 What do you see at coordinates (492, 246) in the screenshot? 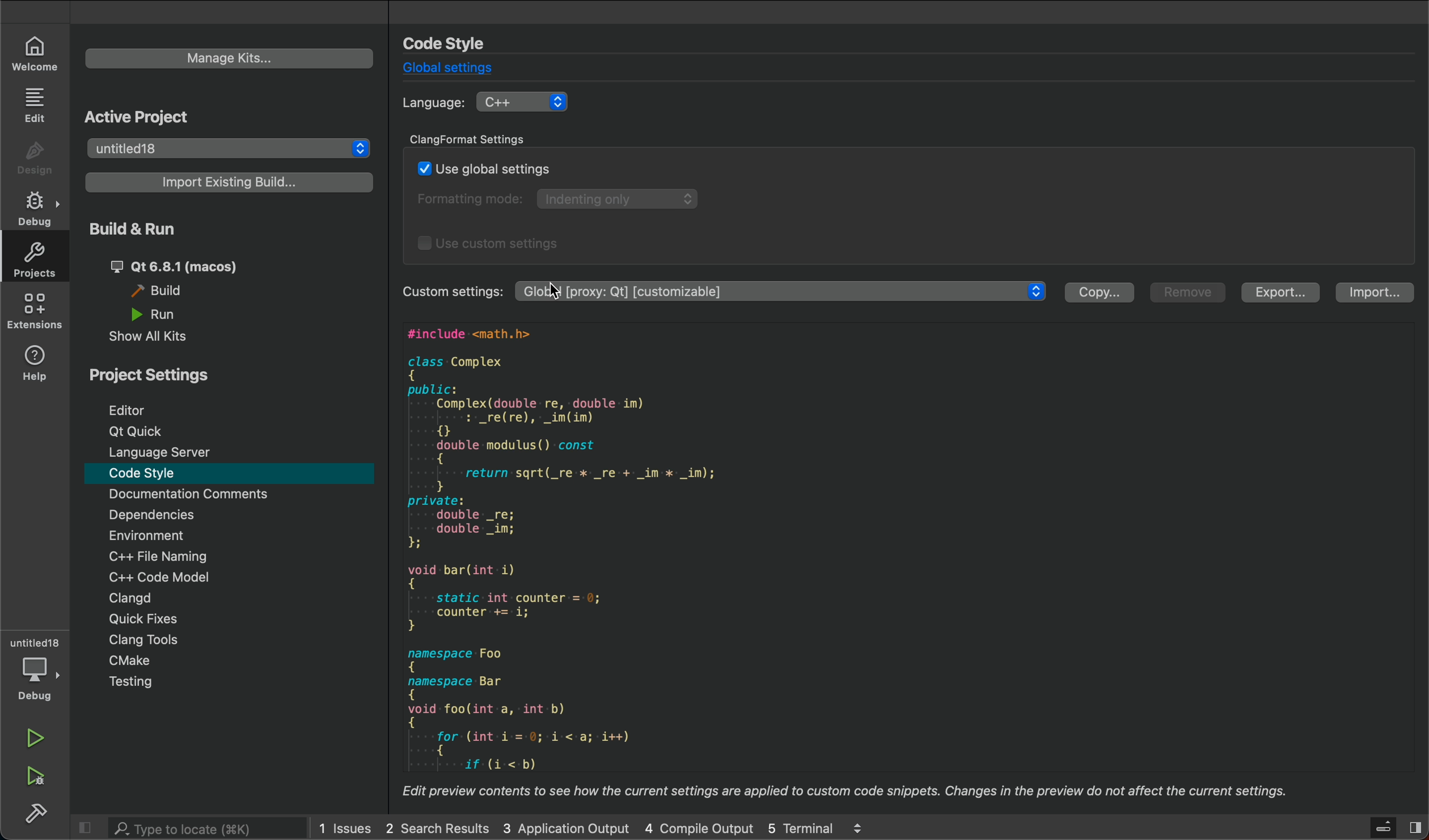
I see `use custom settings ` at bounding box center [492, 246].